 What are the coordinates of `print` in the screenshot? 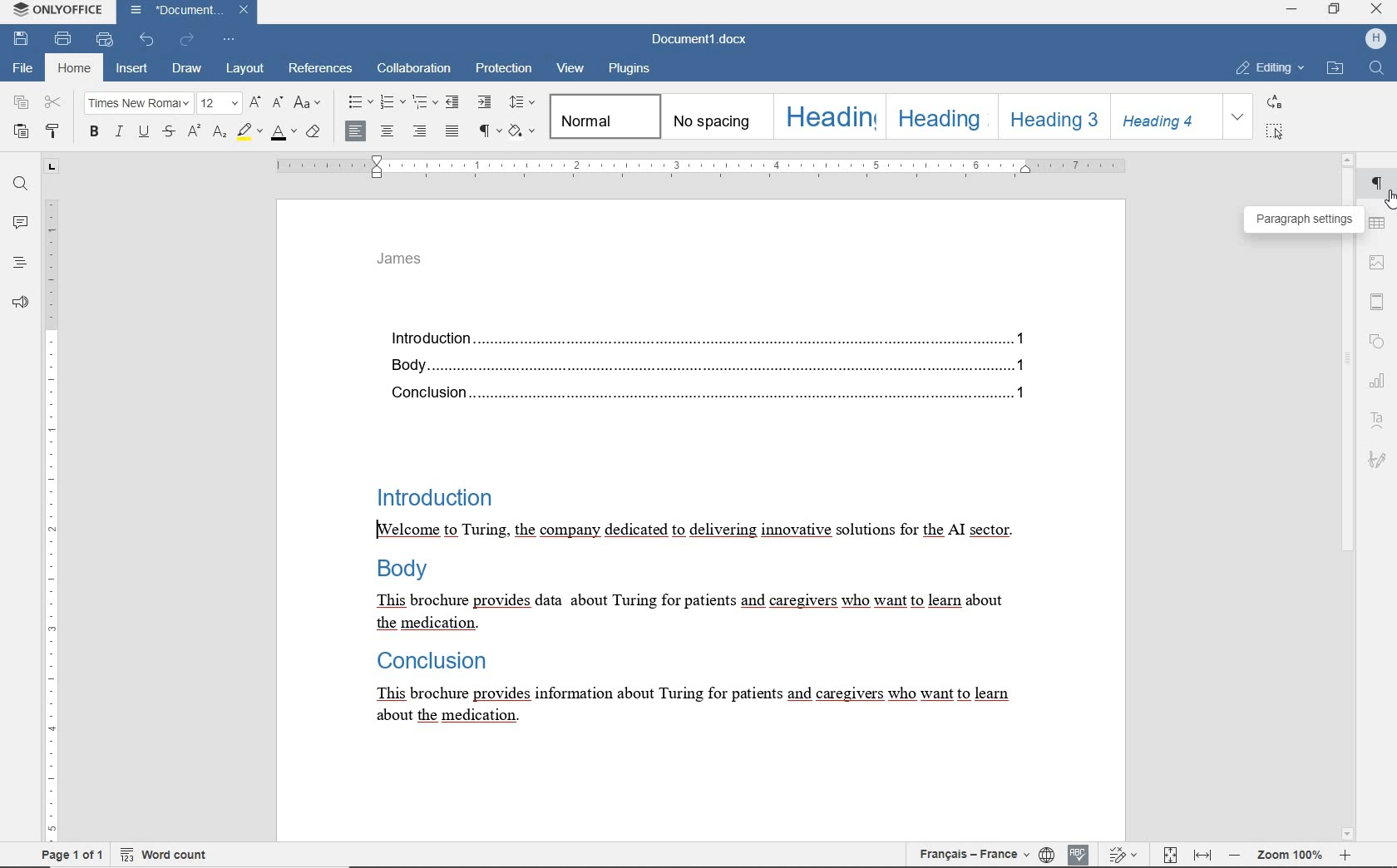 It's located at (64, 39).